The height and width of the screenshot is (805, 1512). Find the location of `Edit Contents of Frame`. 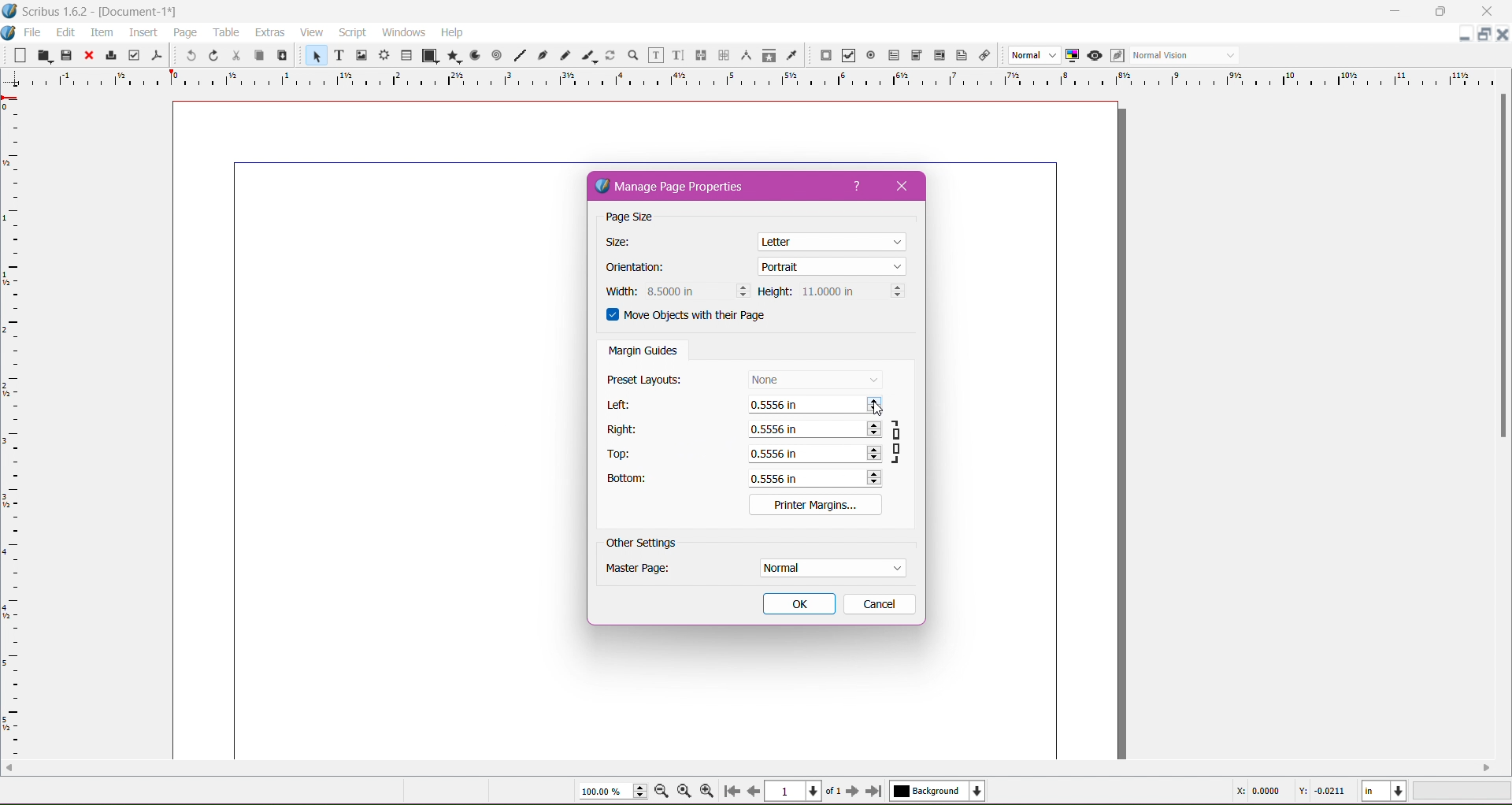

Edit Contents of Frame is located at coordinates (654, 56).